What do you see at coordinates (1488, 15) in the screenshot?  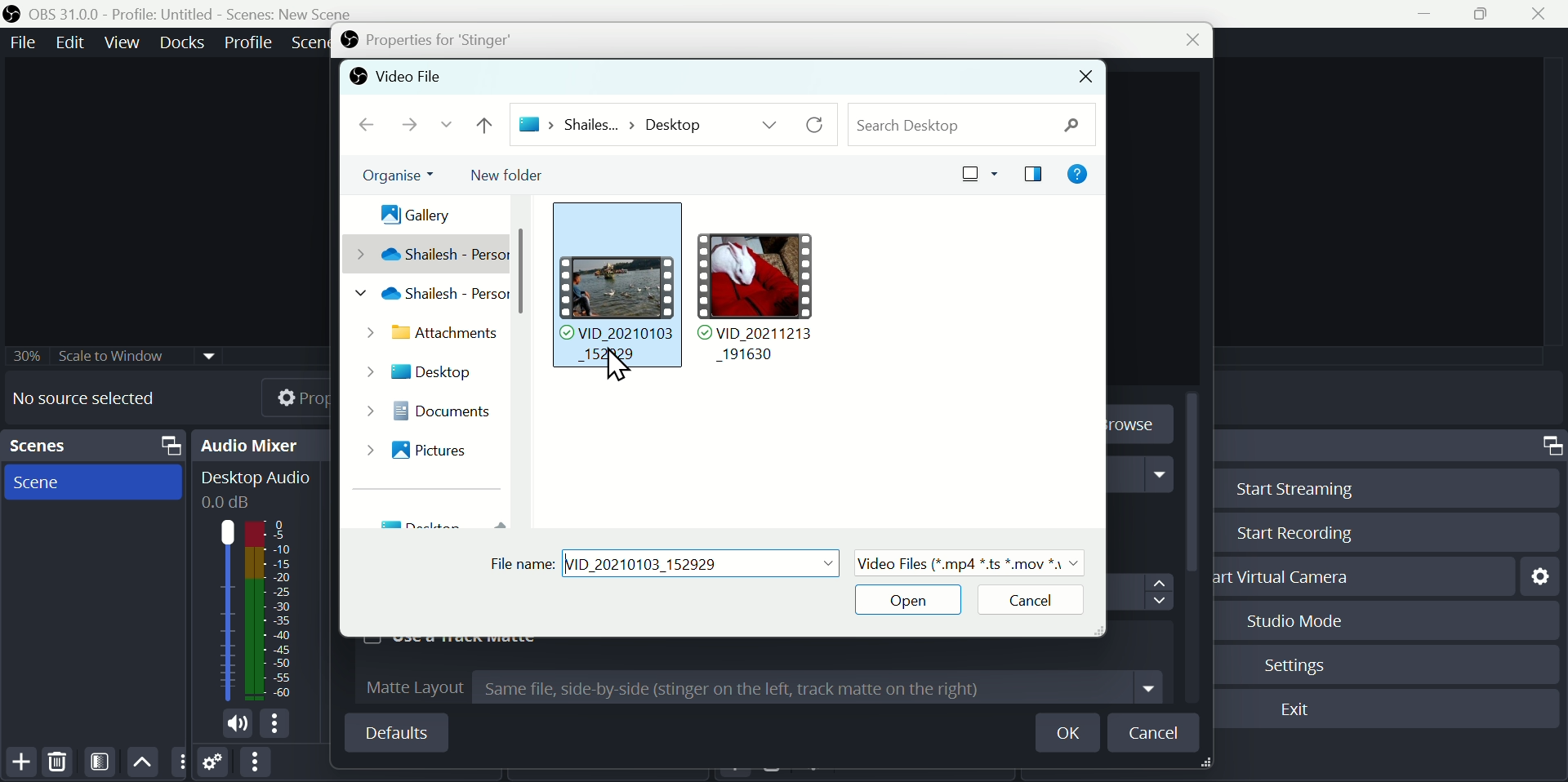 I see `Maximise` at bounding box center [1488, 15].